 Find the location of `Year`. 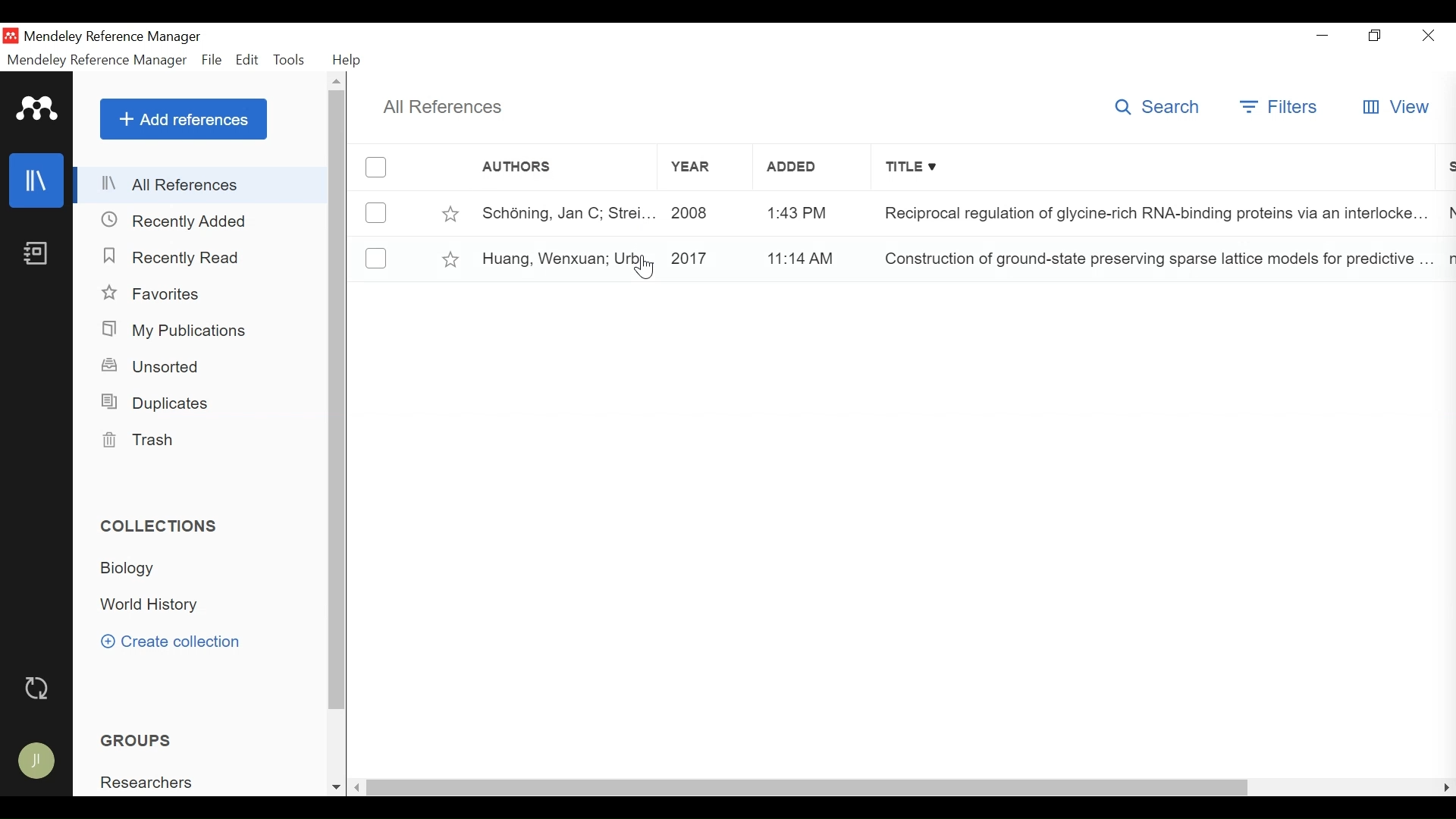

Year is located at coordinates (700, 167).